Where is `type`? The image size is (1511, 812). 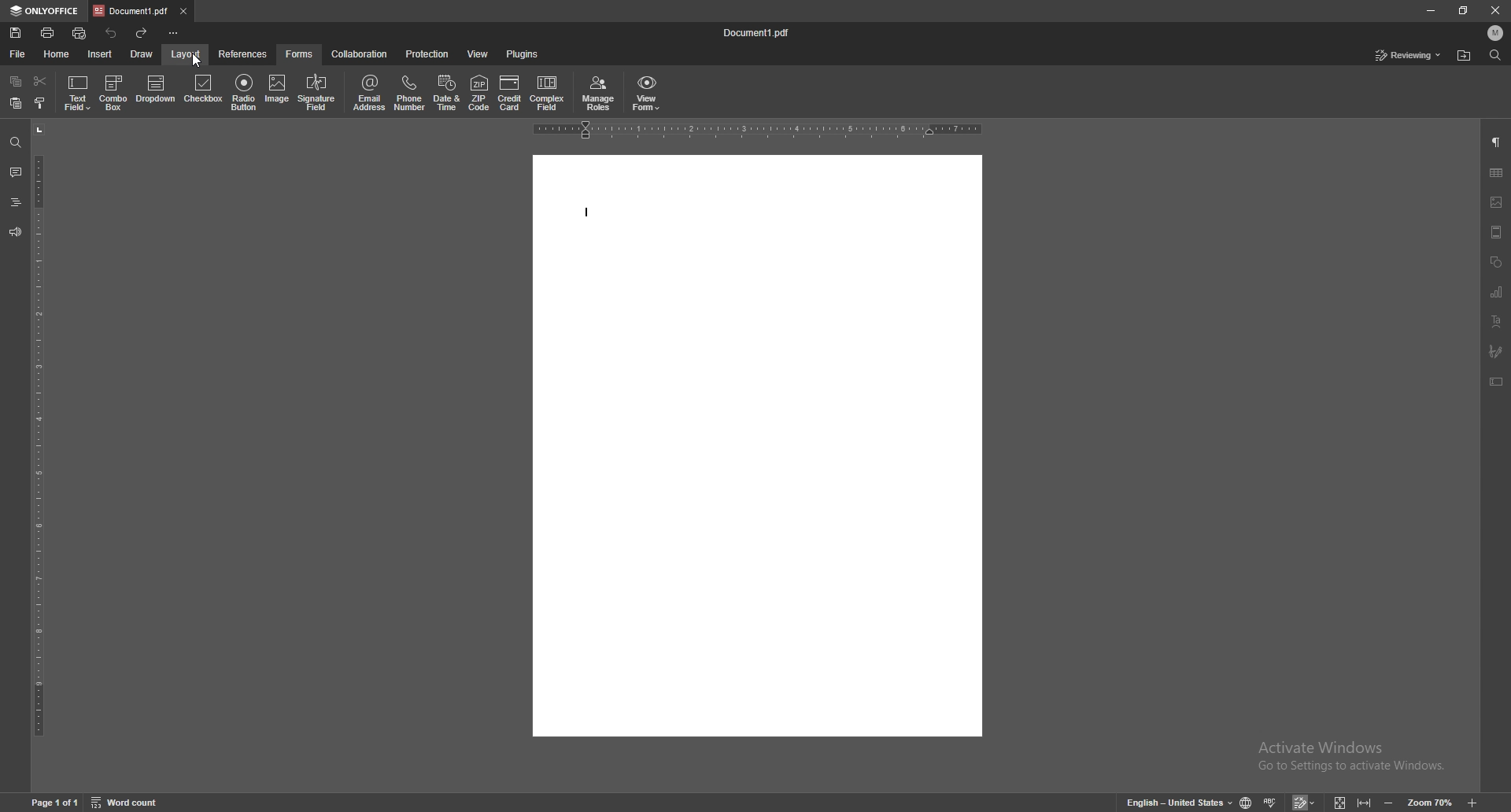
type is located at coordinates (590, 215).